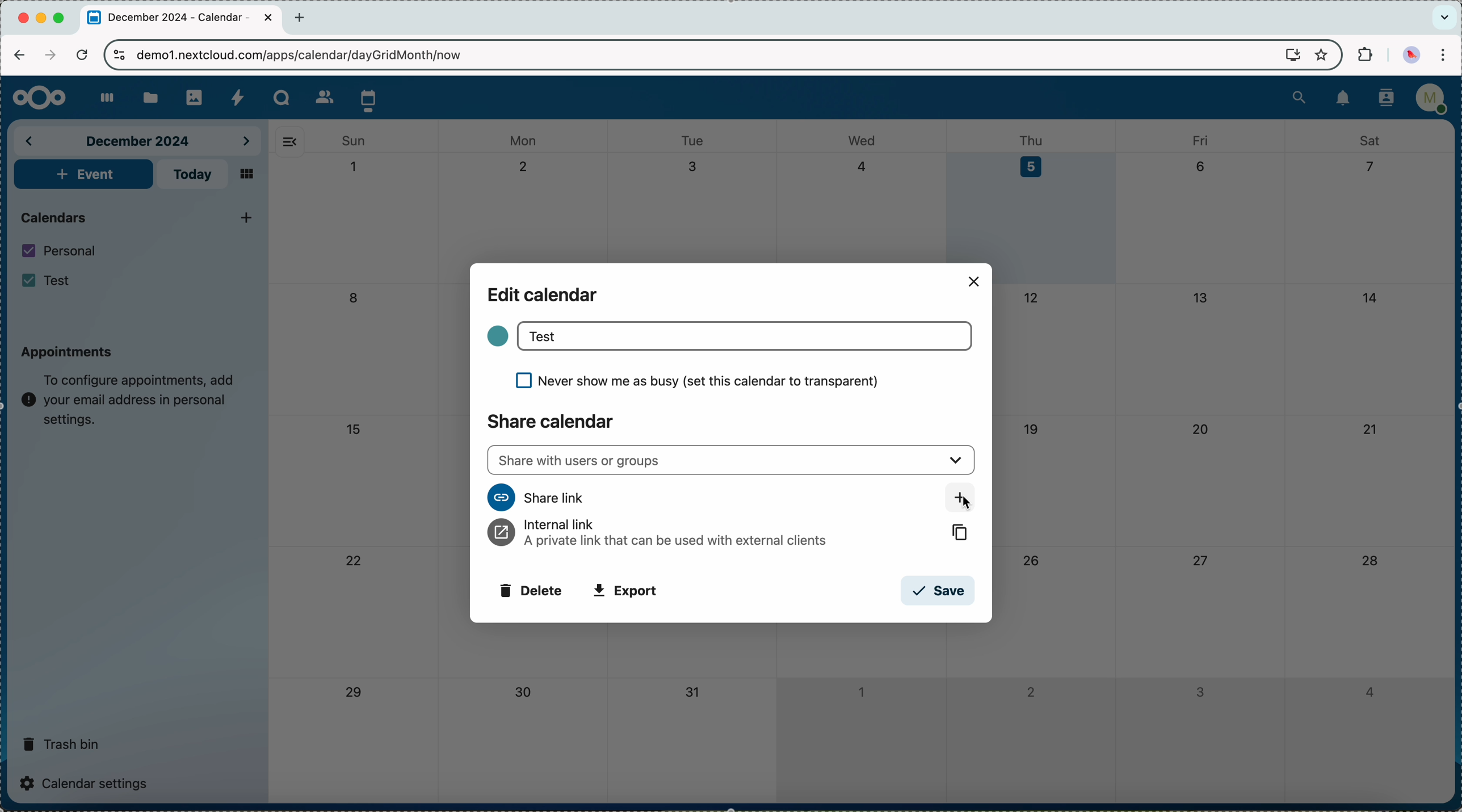  I want to click on notifications, so click(1343, 99).